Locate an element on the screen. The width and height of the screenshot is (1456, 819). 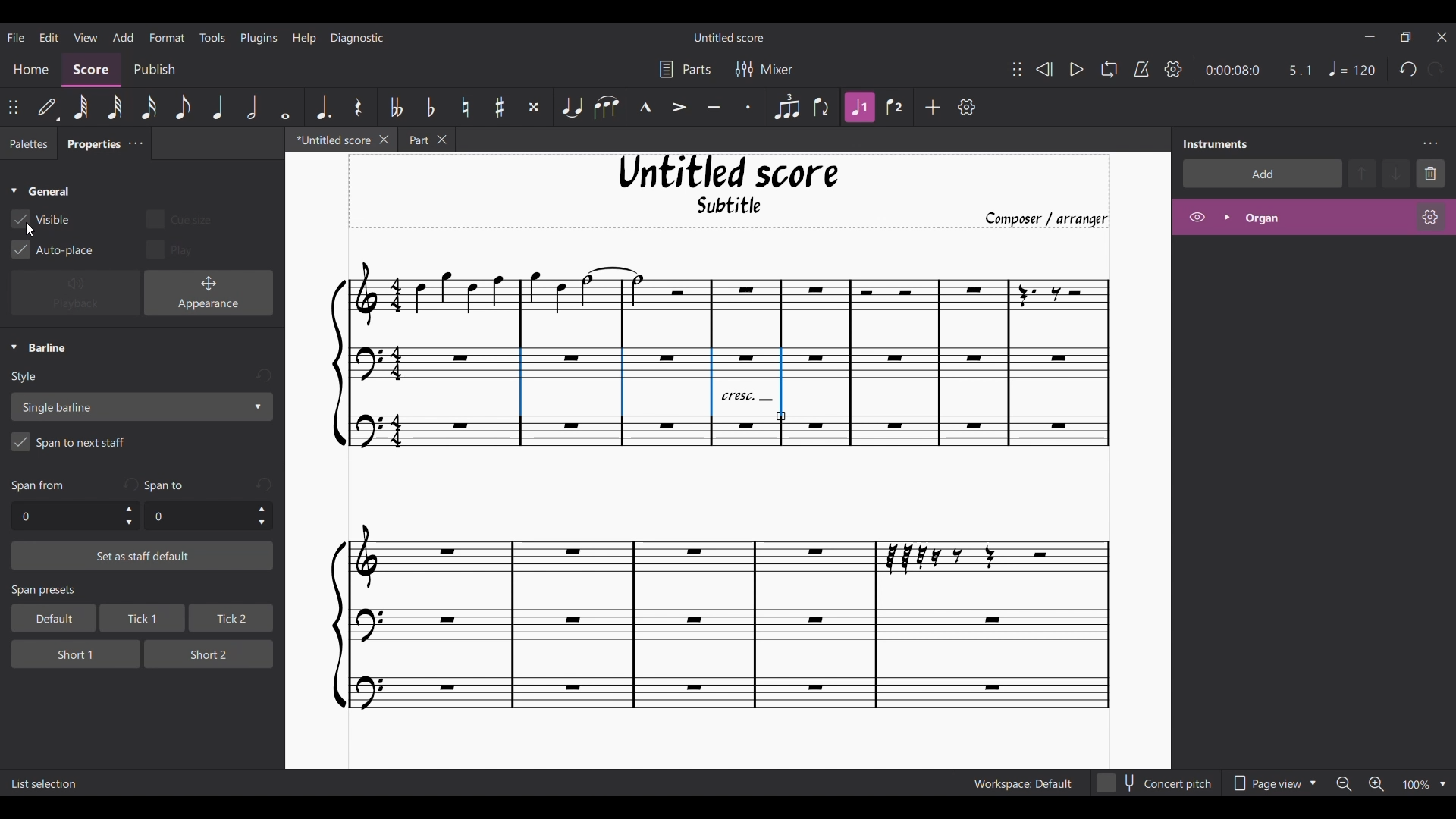
Zoom out is located at coordinates (1344, 784).